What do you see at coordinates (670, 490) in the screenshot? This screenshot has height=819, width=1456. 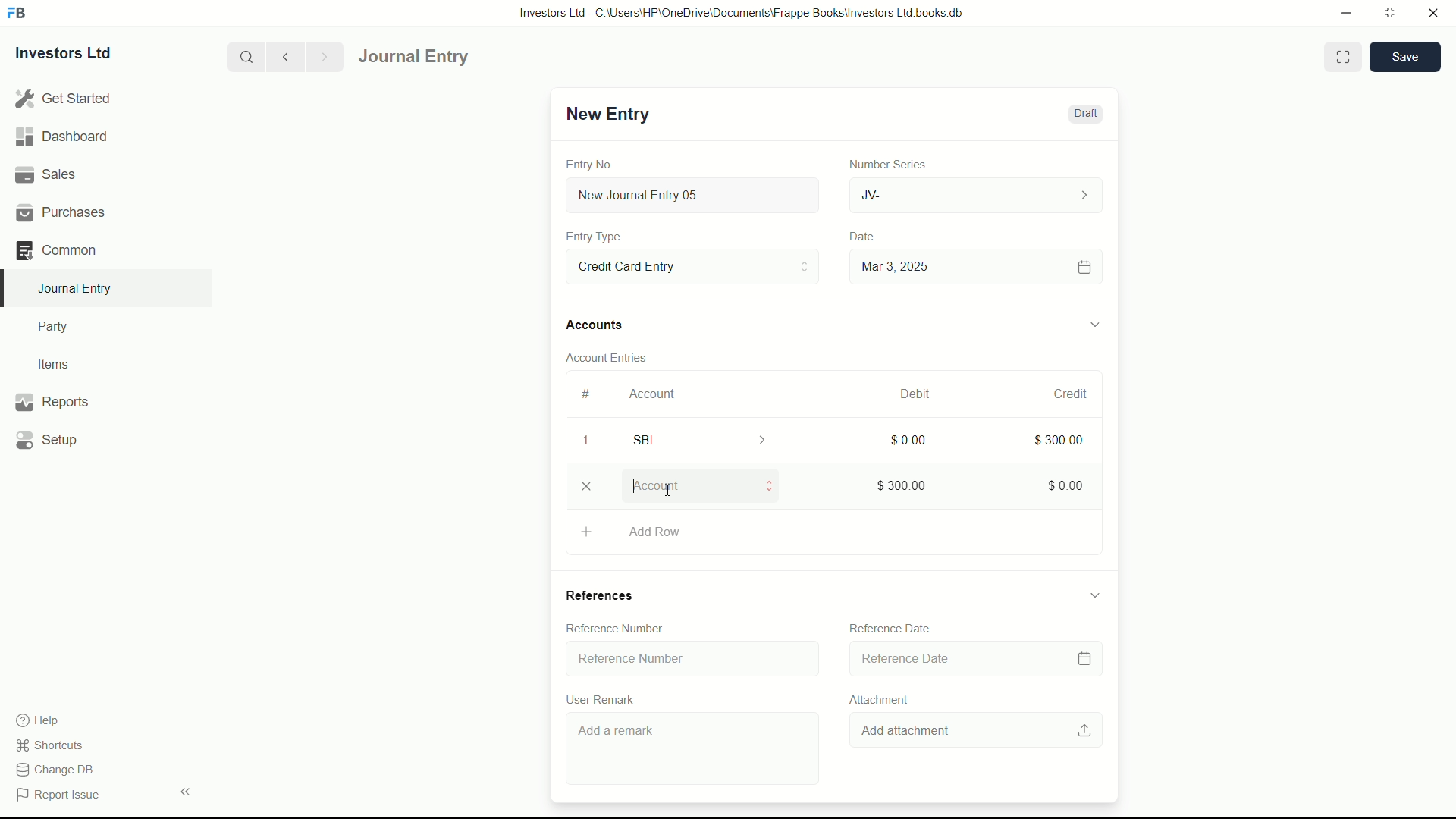 I see `cursor` at bounding box center [670, 490].